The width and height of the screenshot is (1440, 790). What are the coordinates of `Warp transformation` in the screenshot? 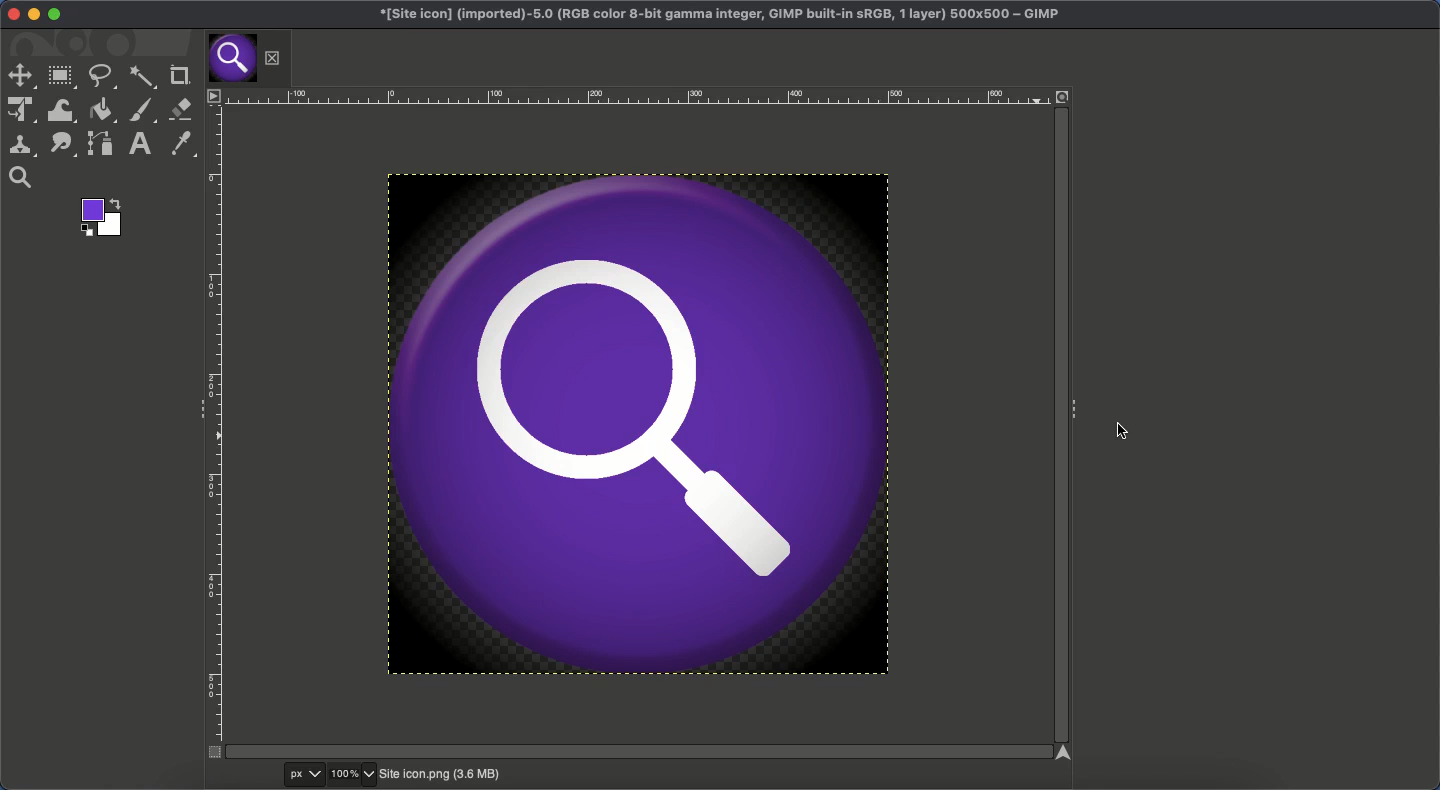 It's located at (62, 110).